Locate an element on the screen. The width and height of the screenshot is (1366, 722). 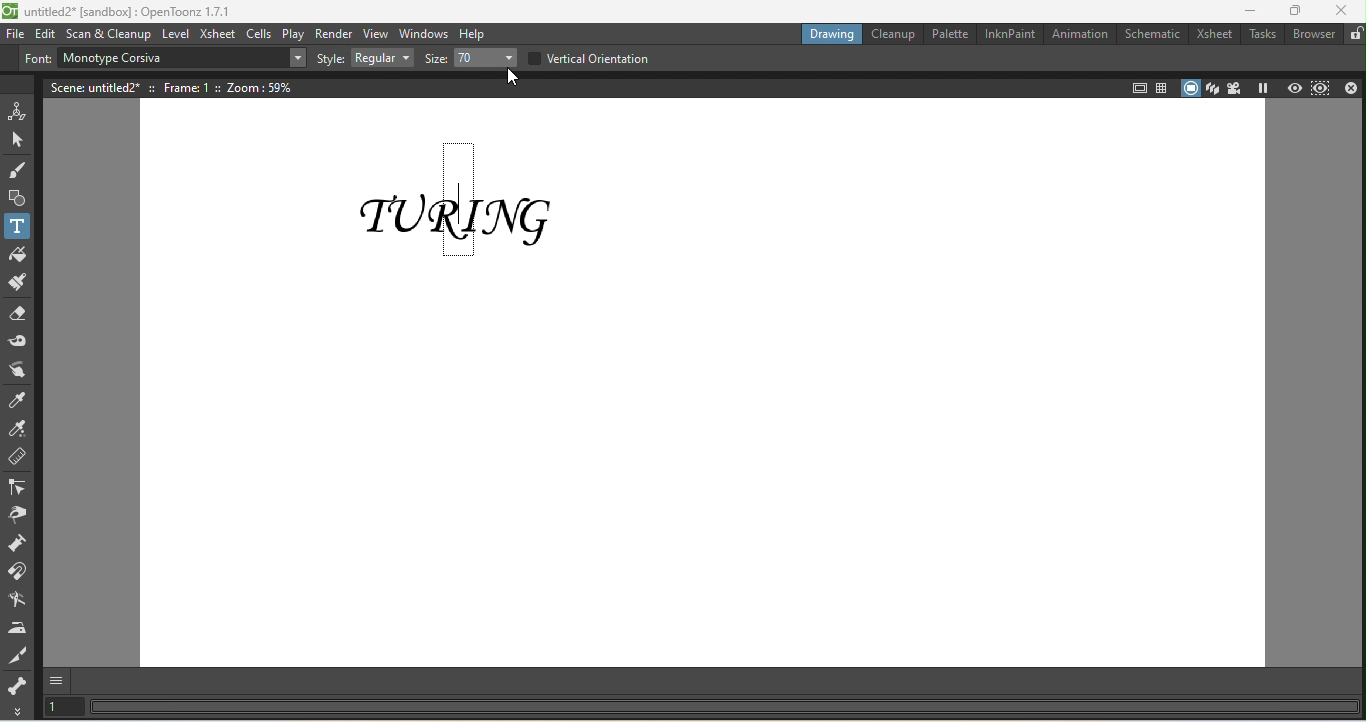
Cleanup is located at coordinates (893, 34).